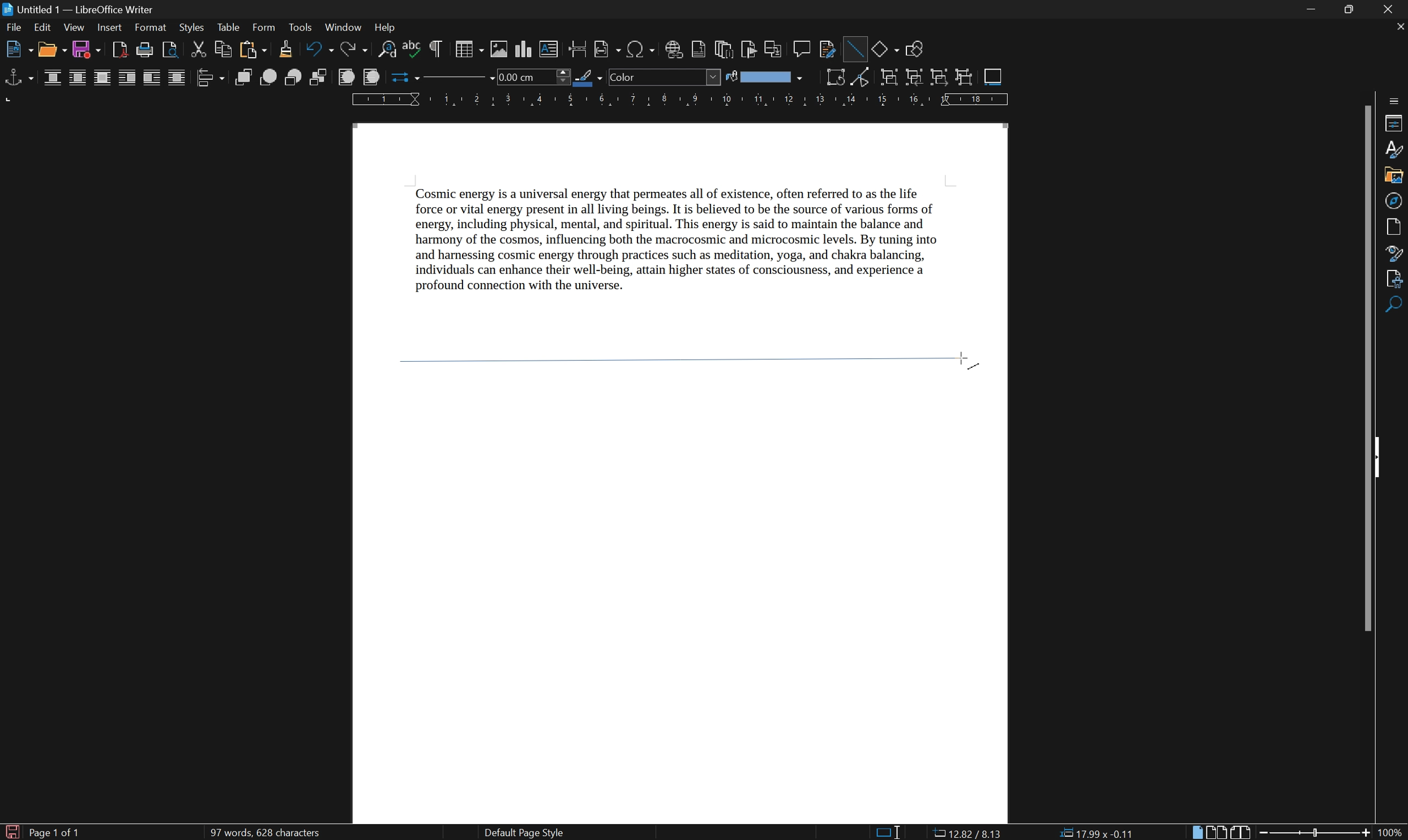  Describe the element at coordinates (191, 27) in the screenshot. I see `styles` at that location.